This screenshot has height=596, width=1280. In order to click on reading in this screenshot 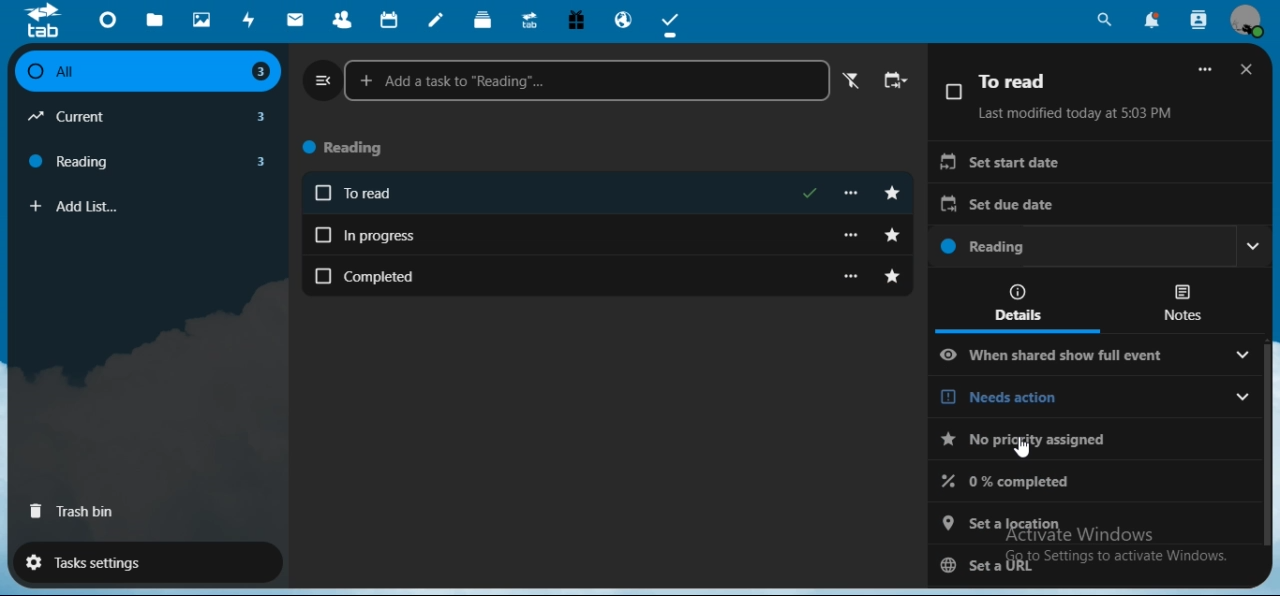, I will do `click(1080, 247)`.